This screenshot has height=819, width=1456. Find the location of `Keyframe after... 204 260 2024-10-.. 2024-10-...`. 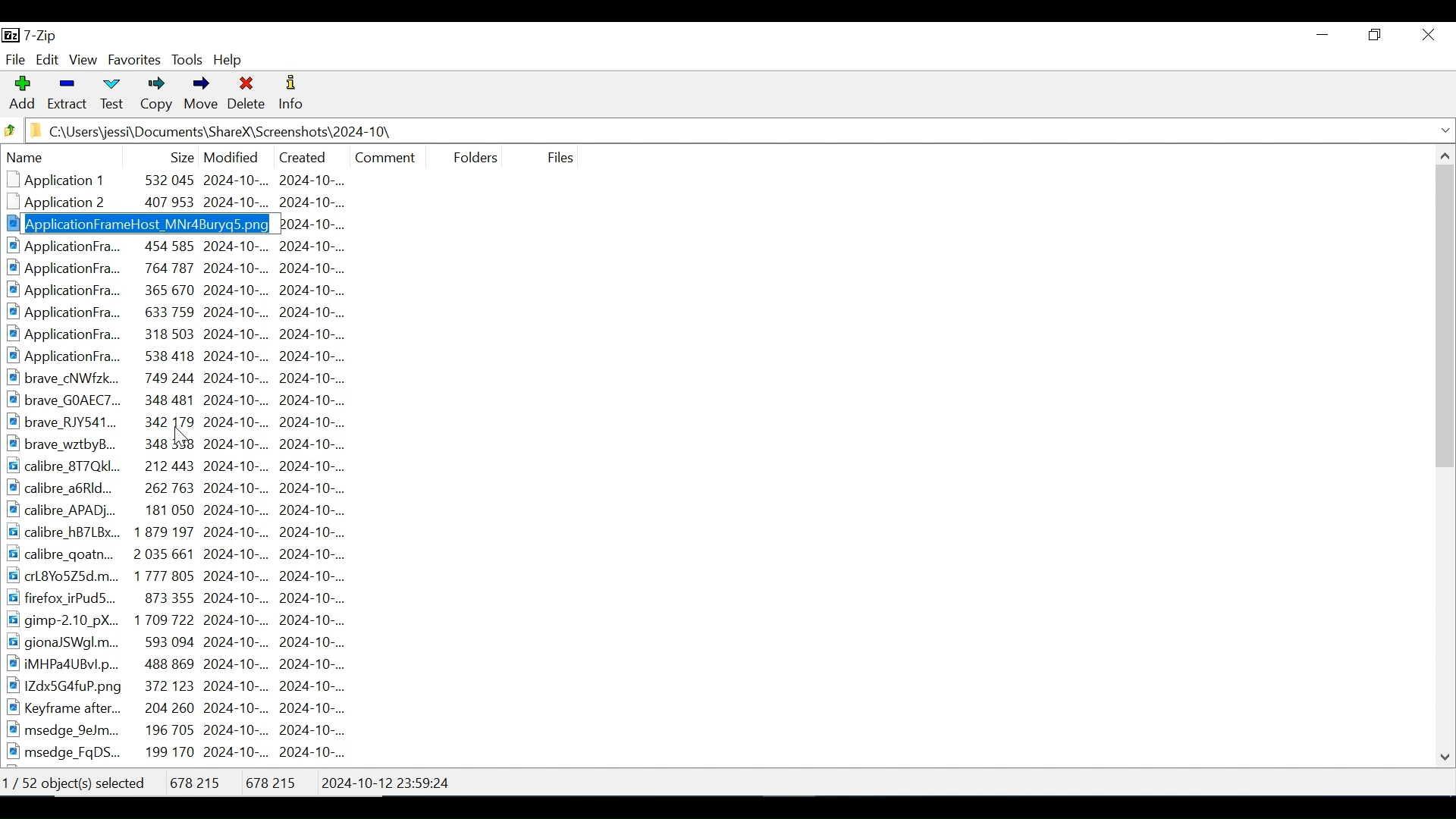

Keyframe after... 204 260 2024-10-.. 2024-10-... is located at coordinates (186, 708).